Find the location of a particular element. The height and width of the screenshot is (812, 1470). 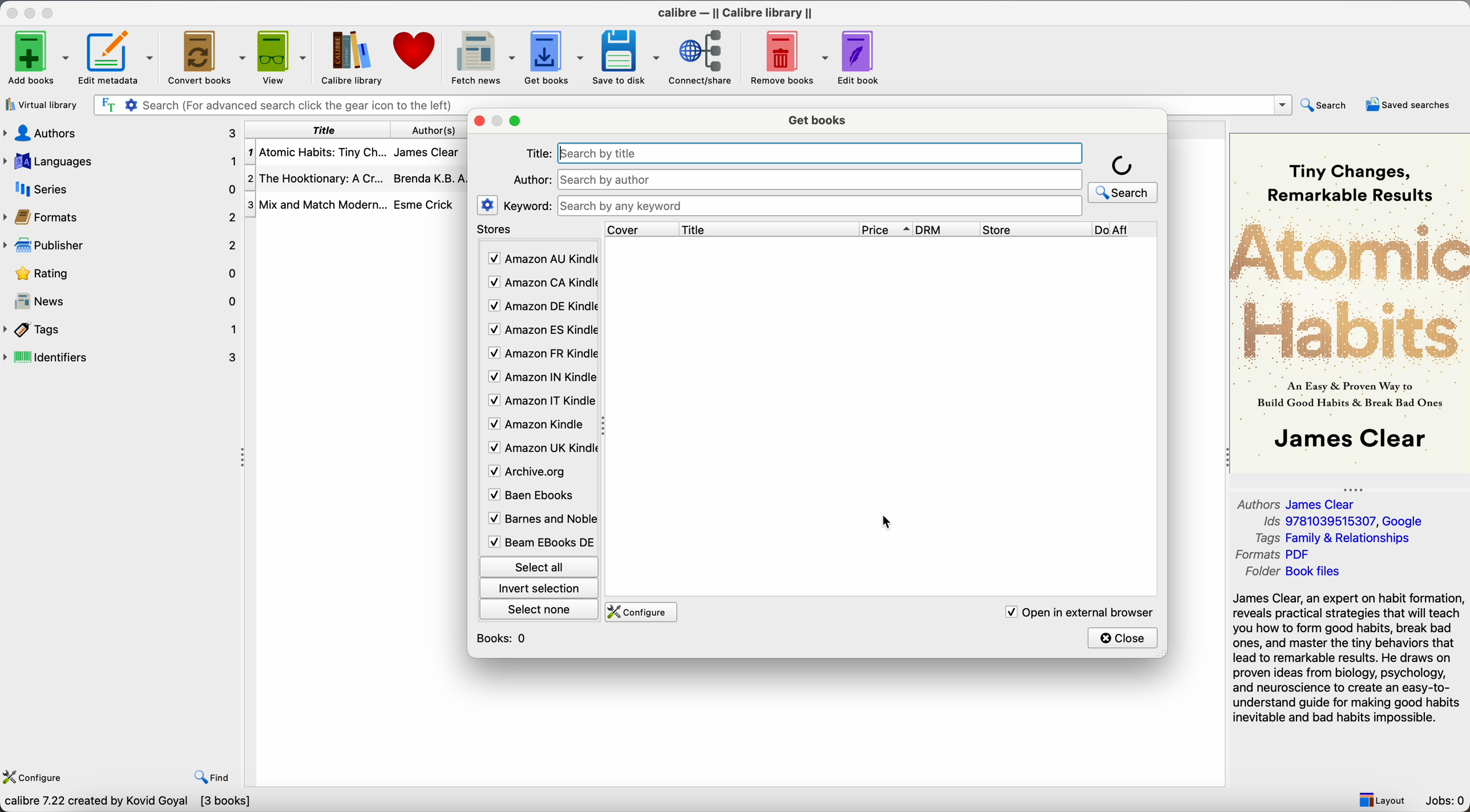

news is located at coordinates (123, 302).